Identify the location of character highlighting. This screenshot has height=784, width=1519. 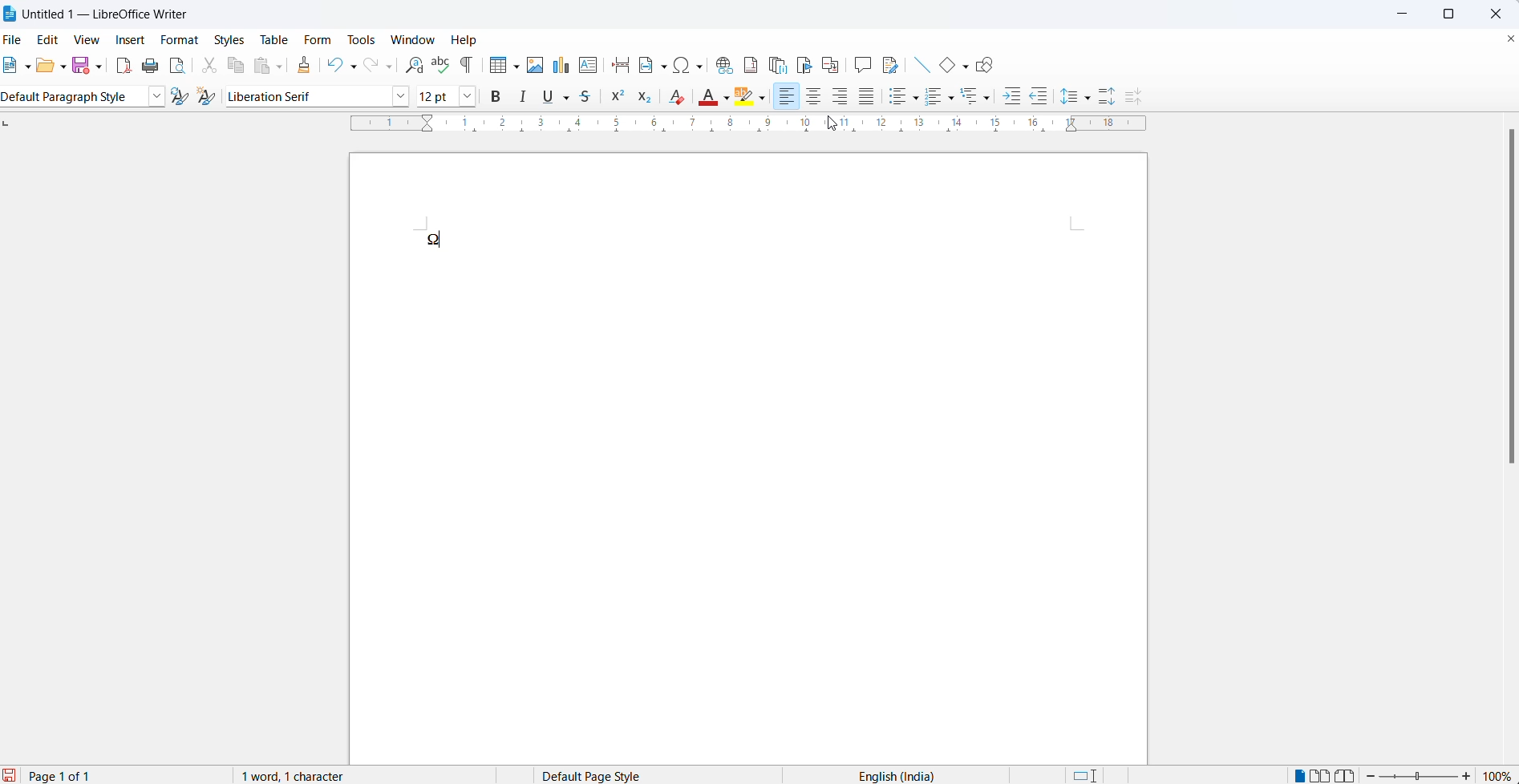
(763, 99).